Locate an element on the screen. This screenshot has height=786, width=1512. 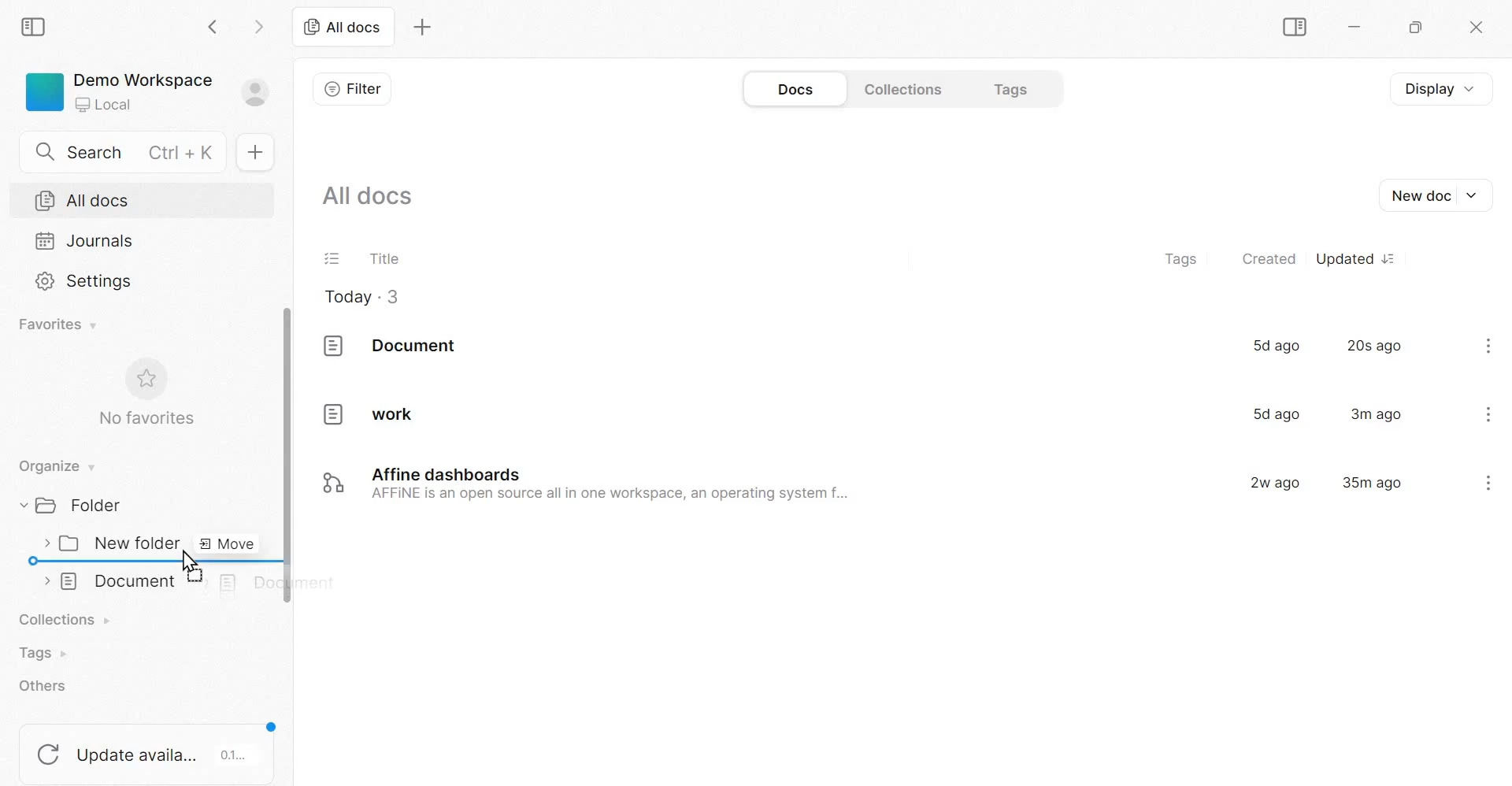
Demo Workspace is located at coordinates (147, 90).